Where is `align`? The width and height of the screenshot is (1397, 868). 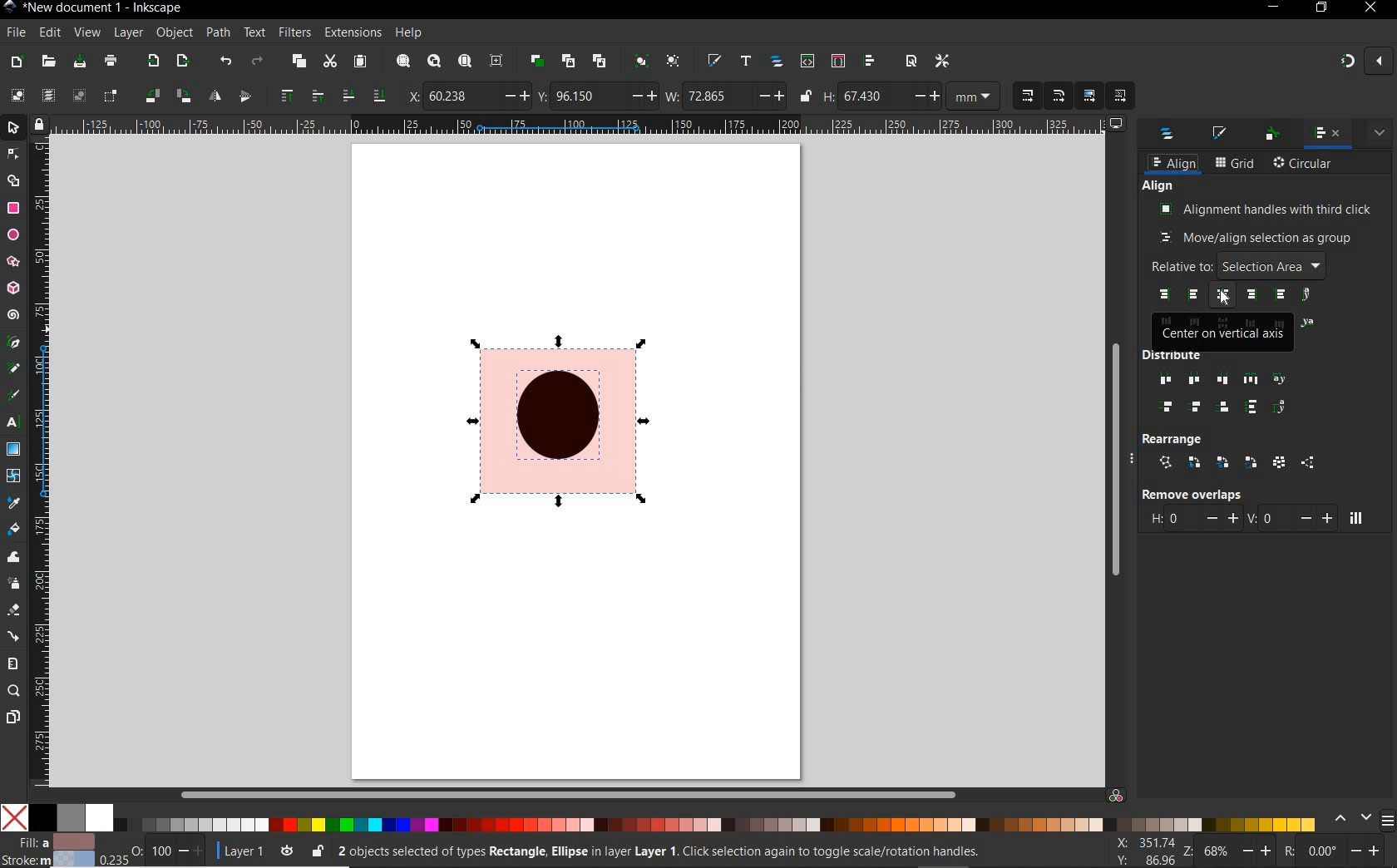
align is located at coordinates (1173, 164).